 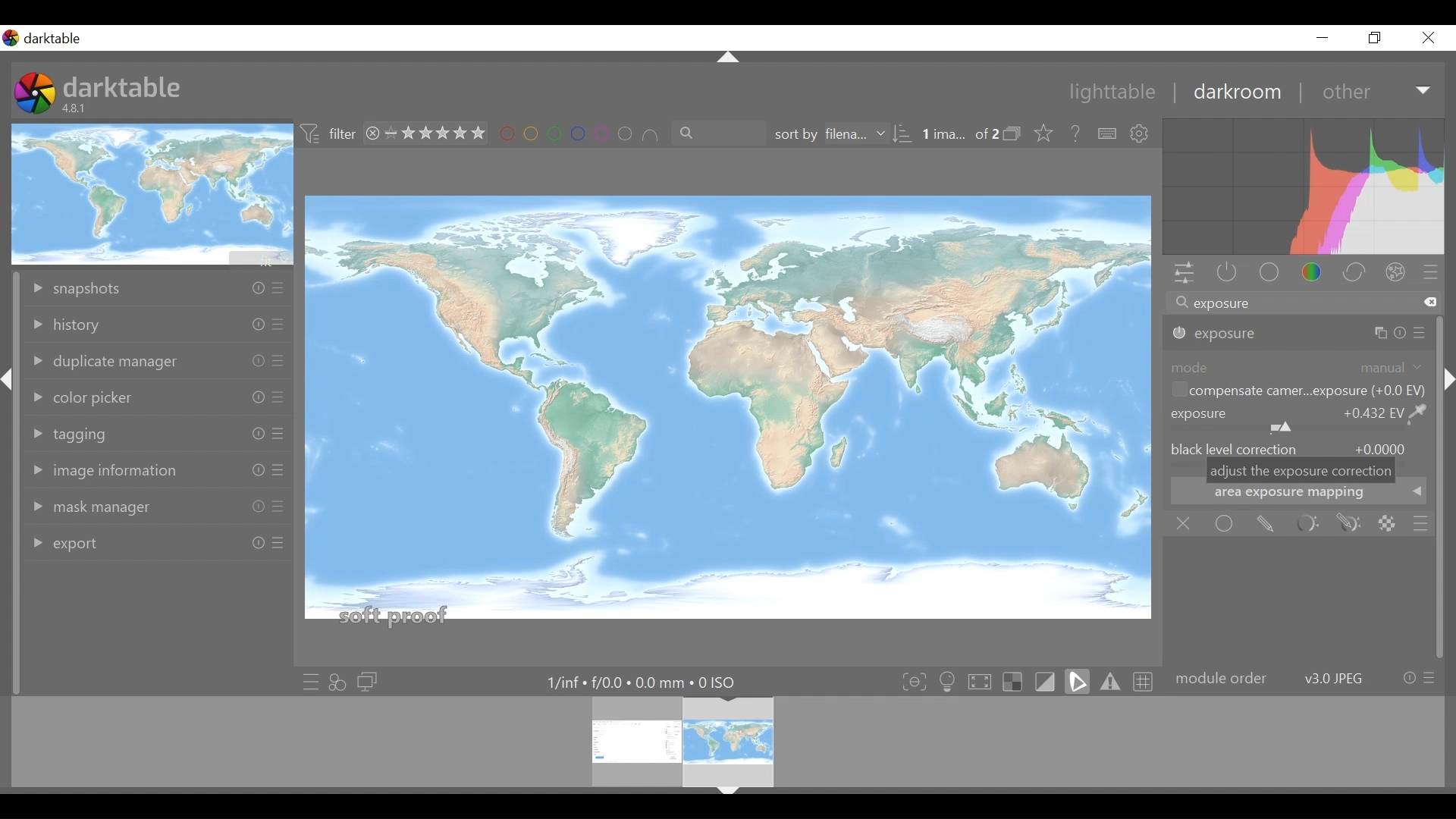 I want to click on adjust the exposure correction tooltip, so click(x=1299, y=472).